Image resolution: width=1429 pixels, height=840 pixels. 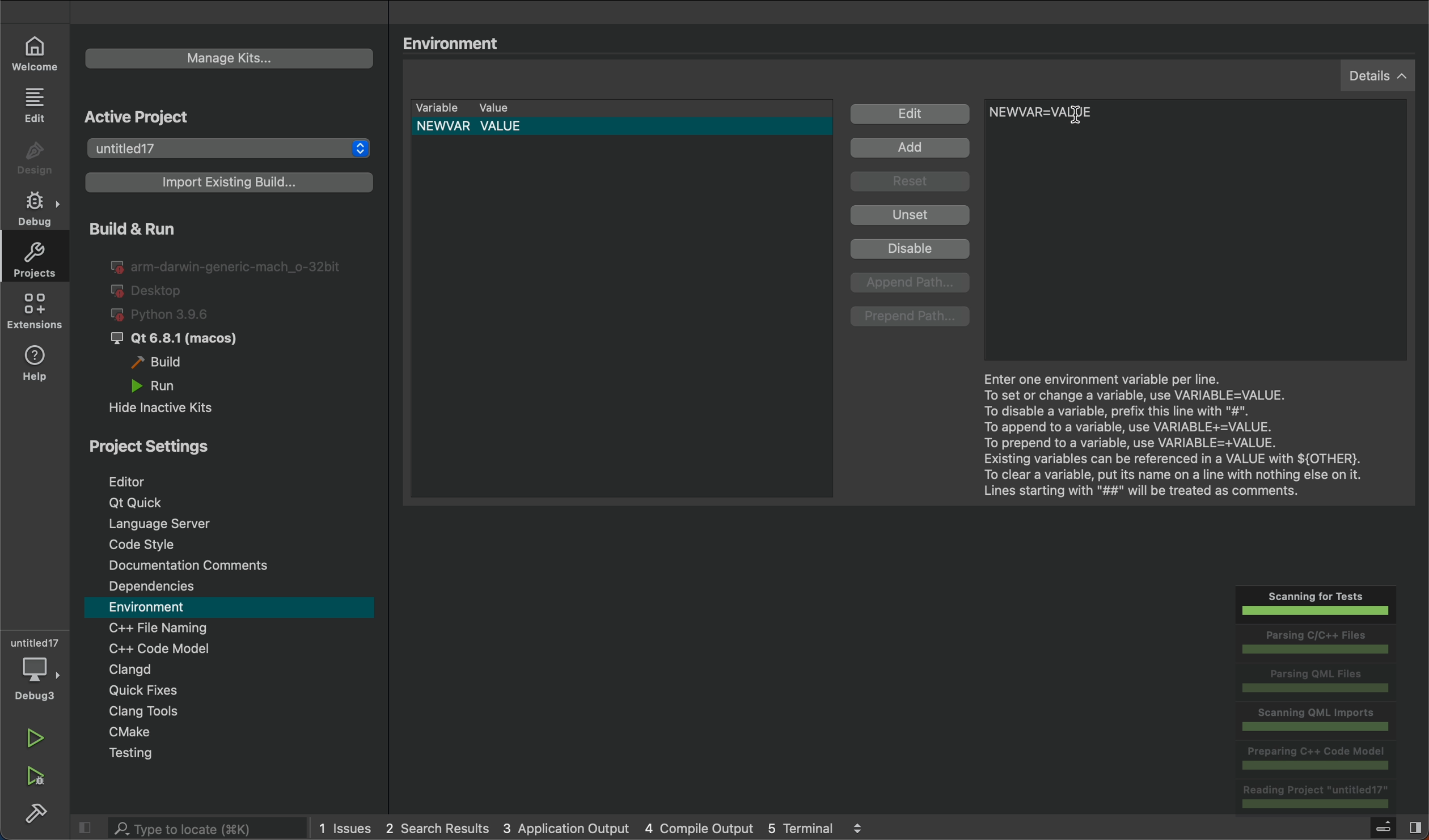 I want to click on kits, so click(x=227, y=60).